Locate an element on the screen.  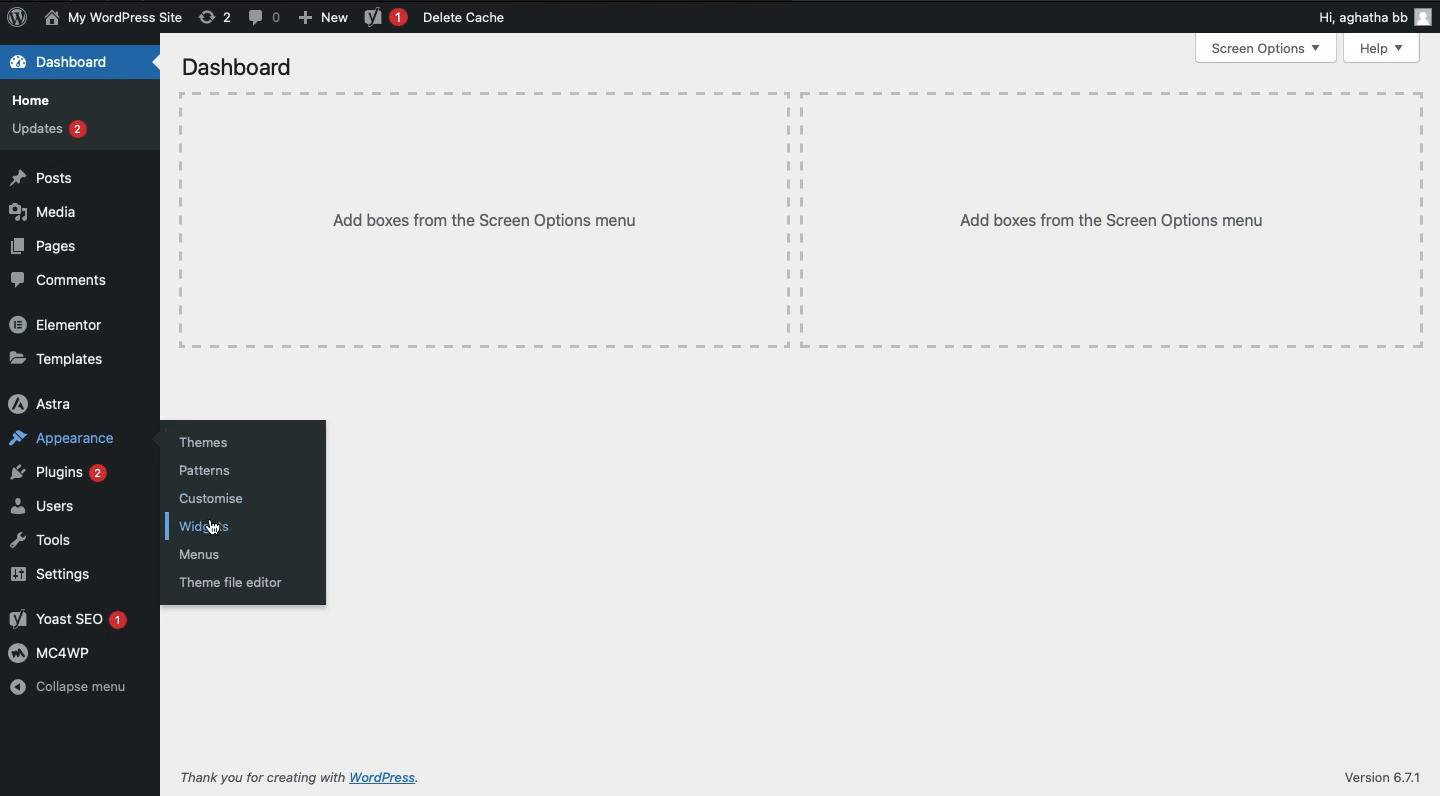
Settings is located at coordinates (60, 575).